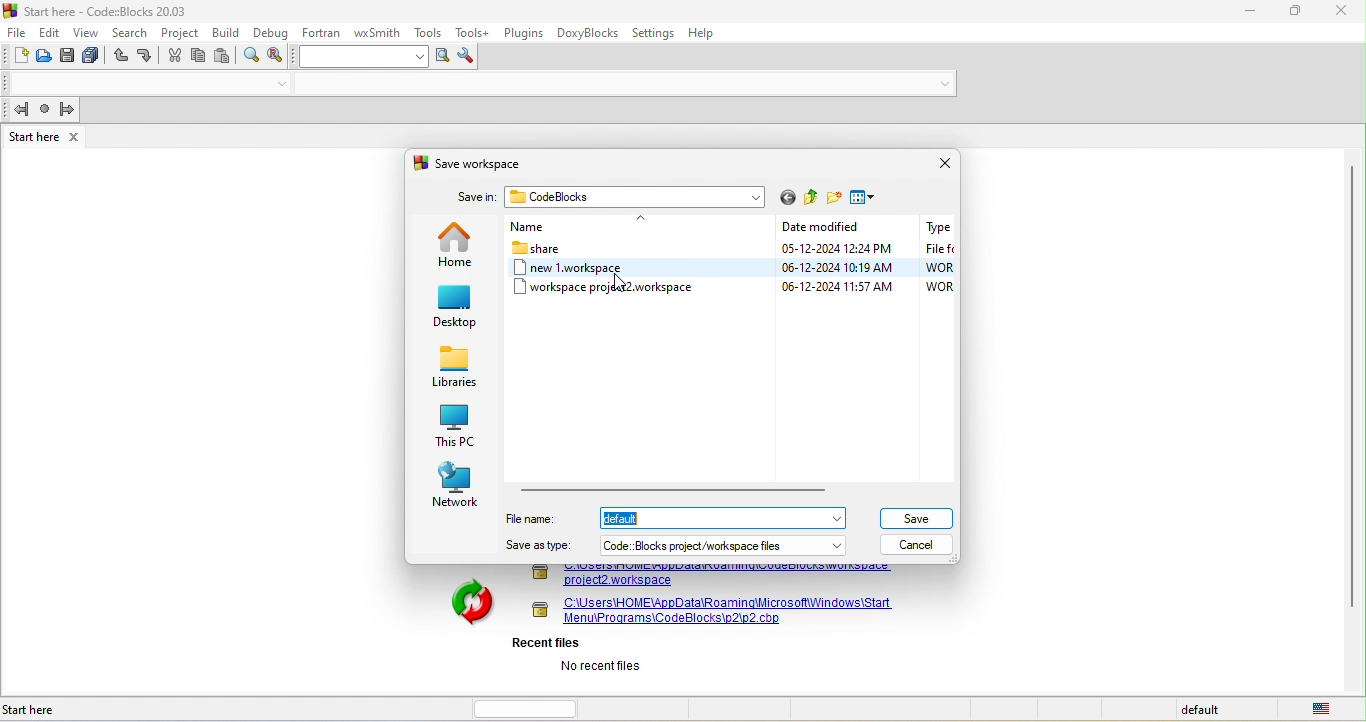  I want to click on jump forward, so click(70, 109).